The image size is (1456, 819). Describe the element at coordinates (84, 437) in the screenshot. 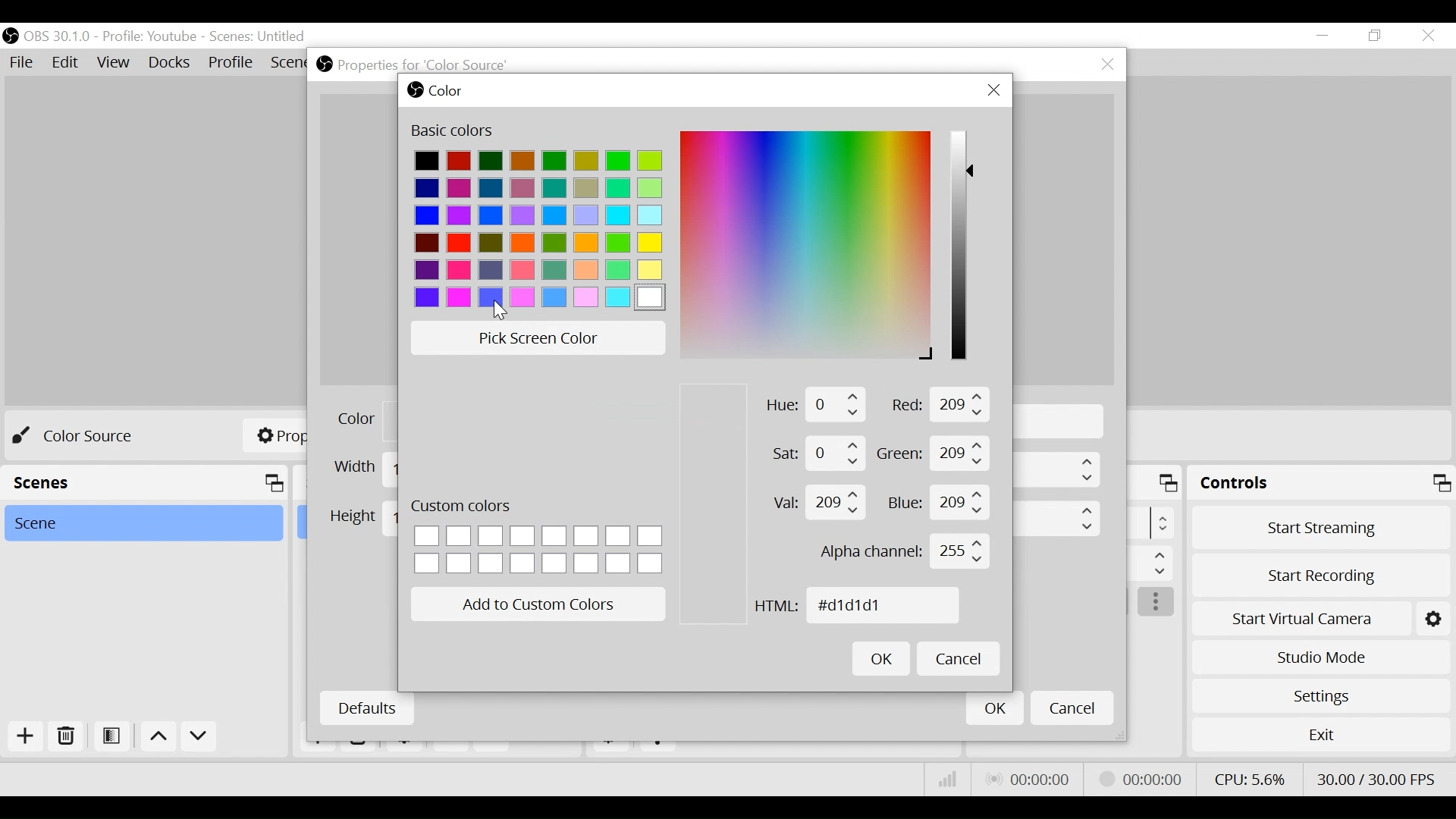

I see `No source selected` at that location.